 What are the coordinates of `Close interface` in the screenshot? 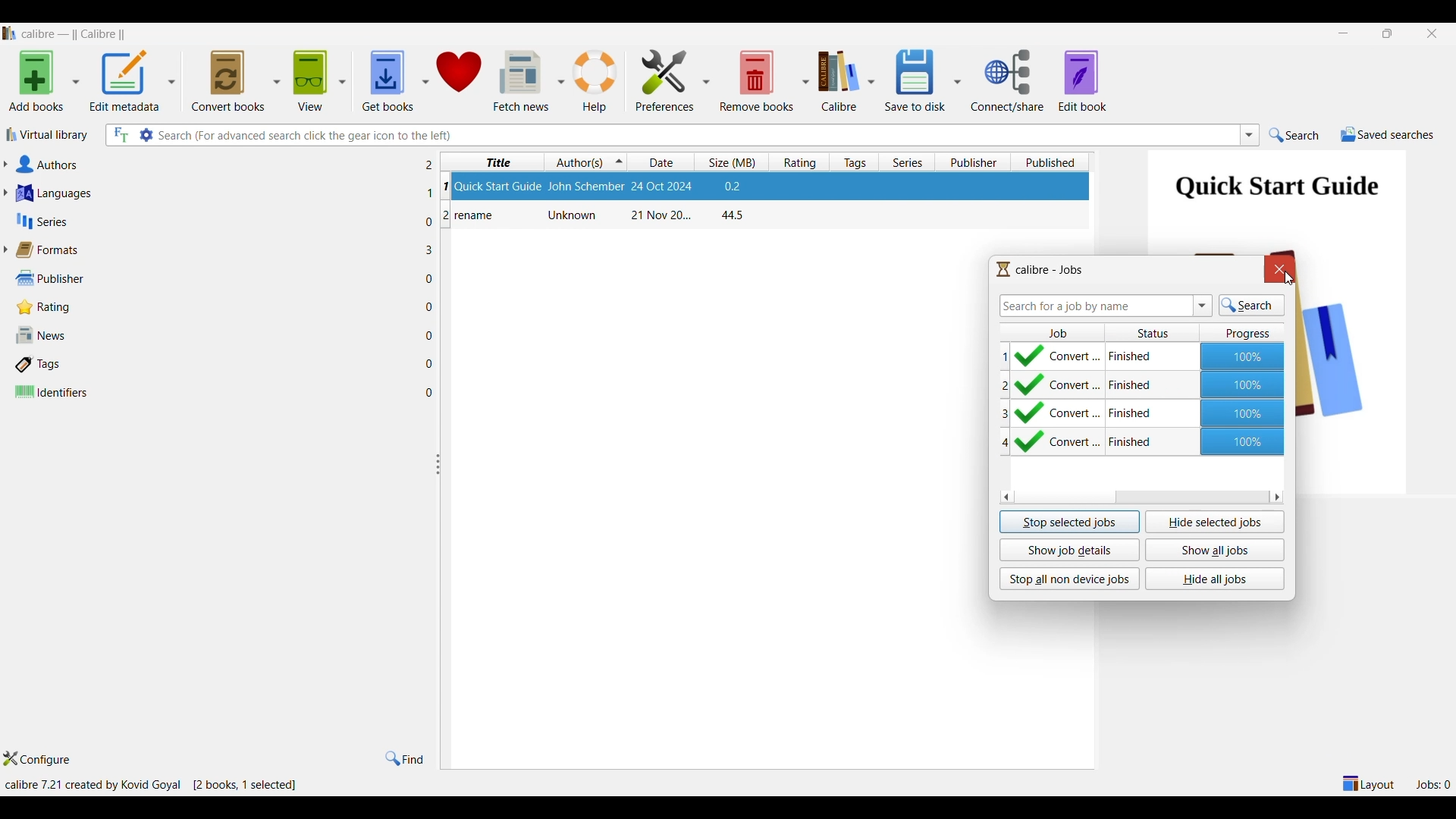 It's located at (1432, 34).